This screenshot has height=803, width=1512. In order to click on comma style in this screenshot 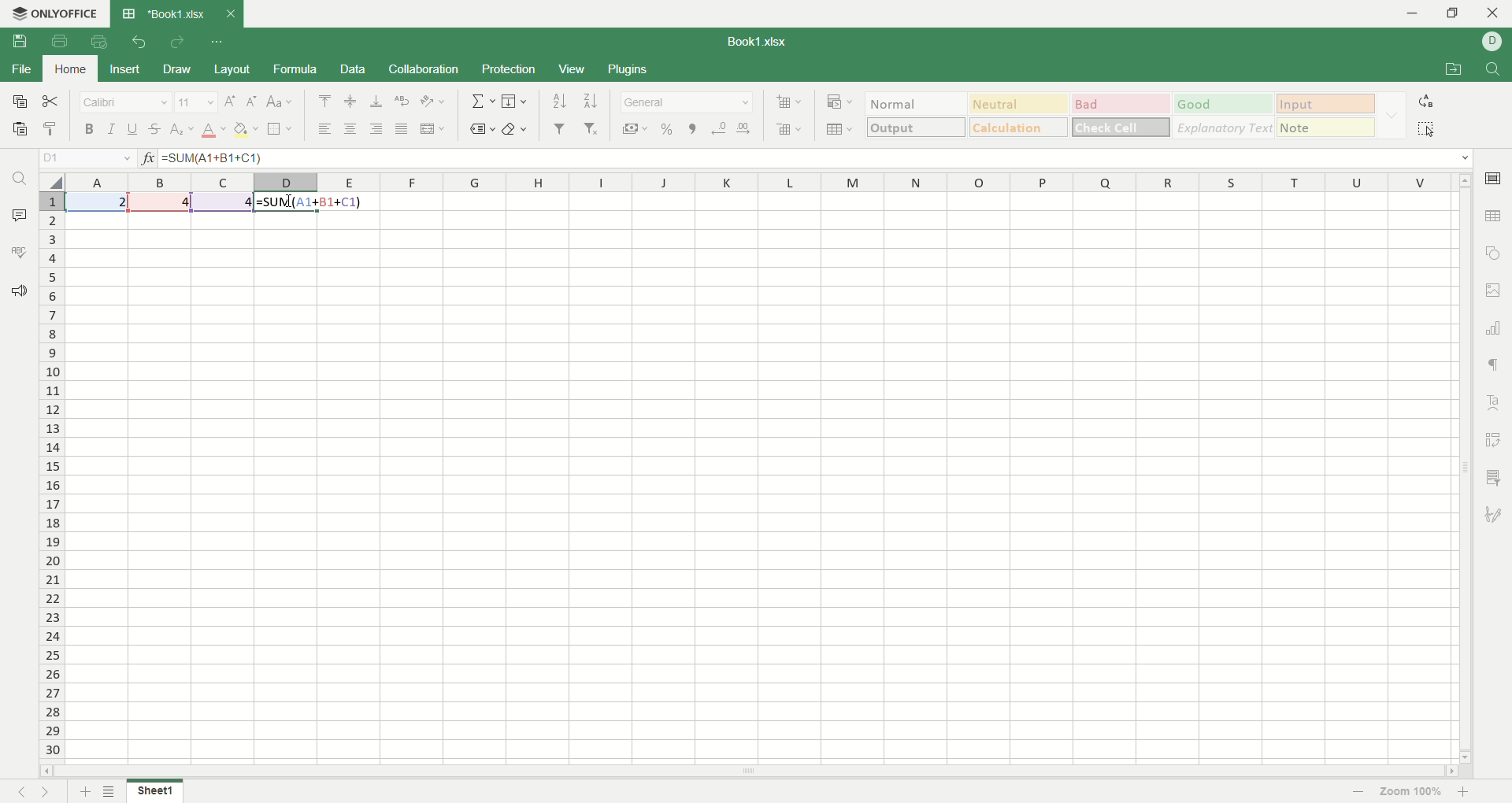, I will do `click(692, 128)`.